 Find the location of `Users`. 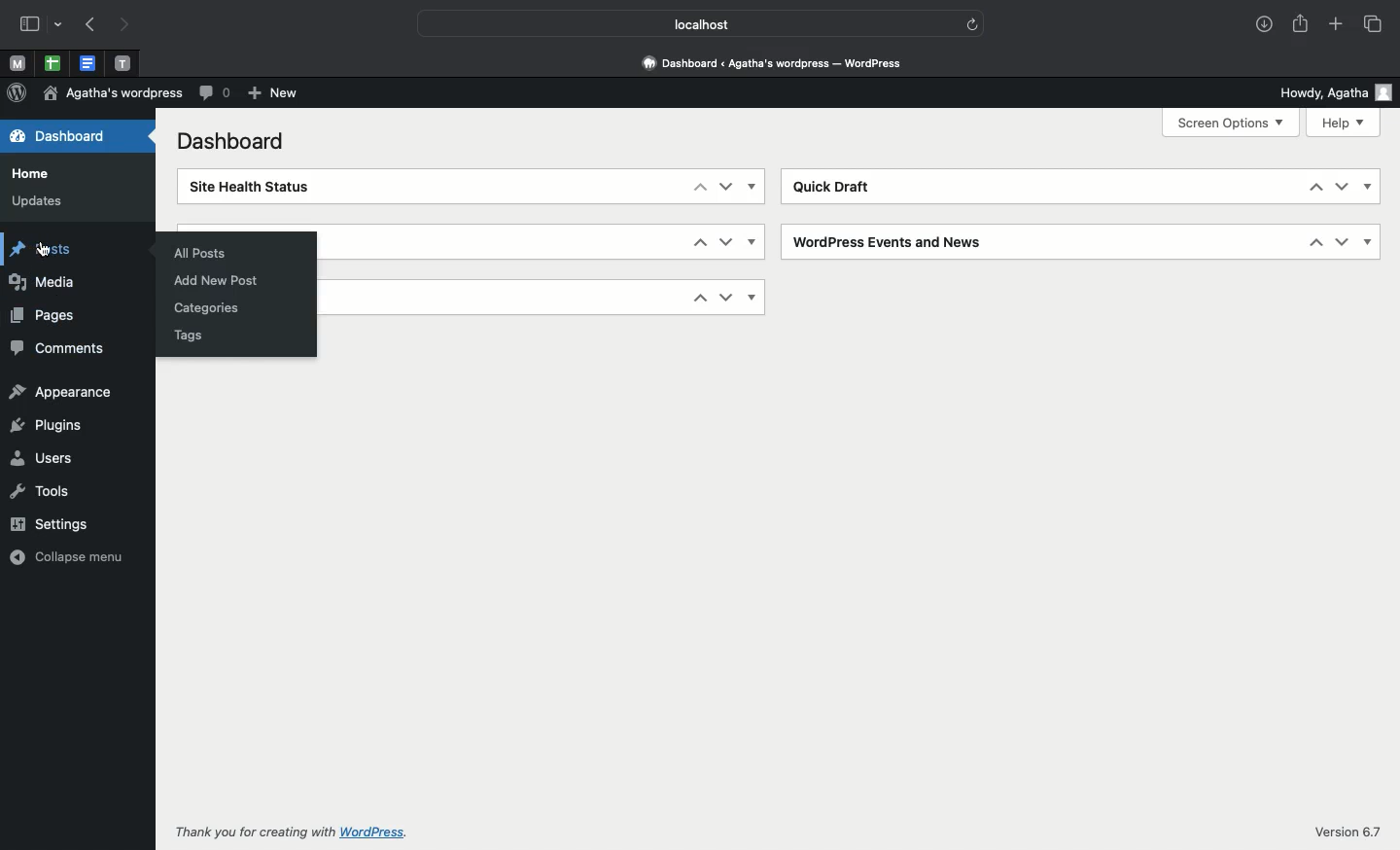

Users is located at coordinates (42, 458).